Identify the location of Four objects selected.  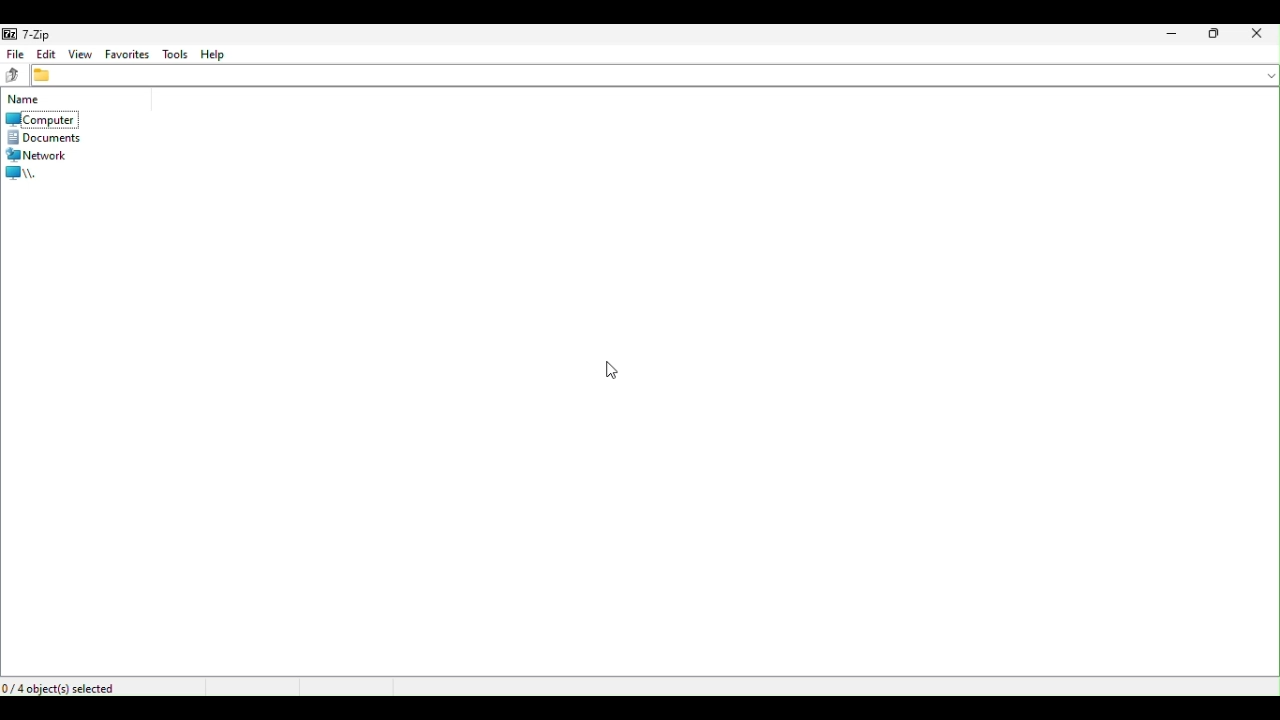
(67, 687).